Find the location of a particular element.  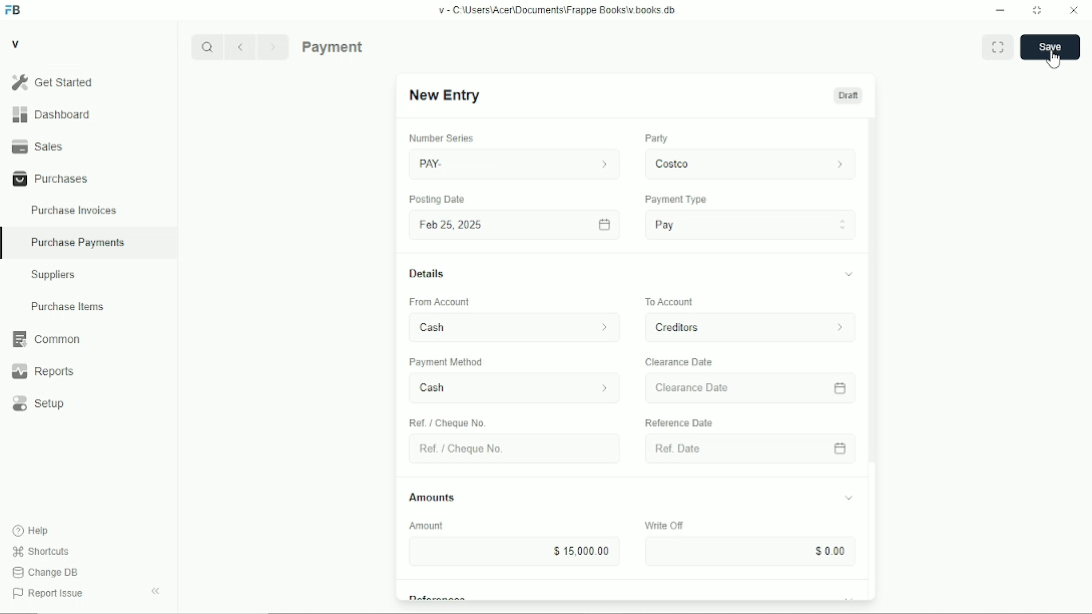

Reports is located at coordinates (89, 371).